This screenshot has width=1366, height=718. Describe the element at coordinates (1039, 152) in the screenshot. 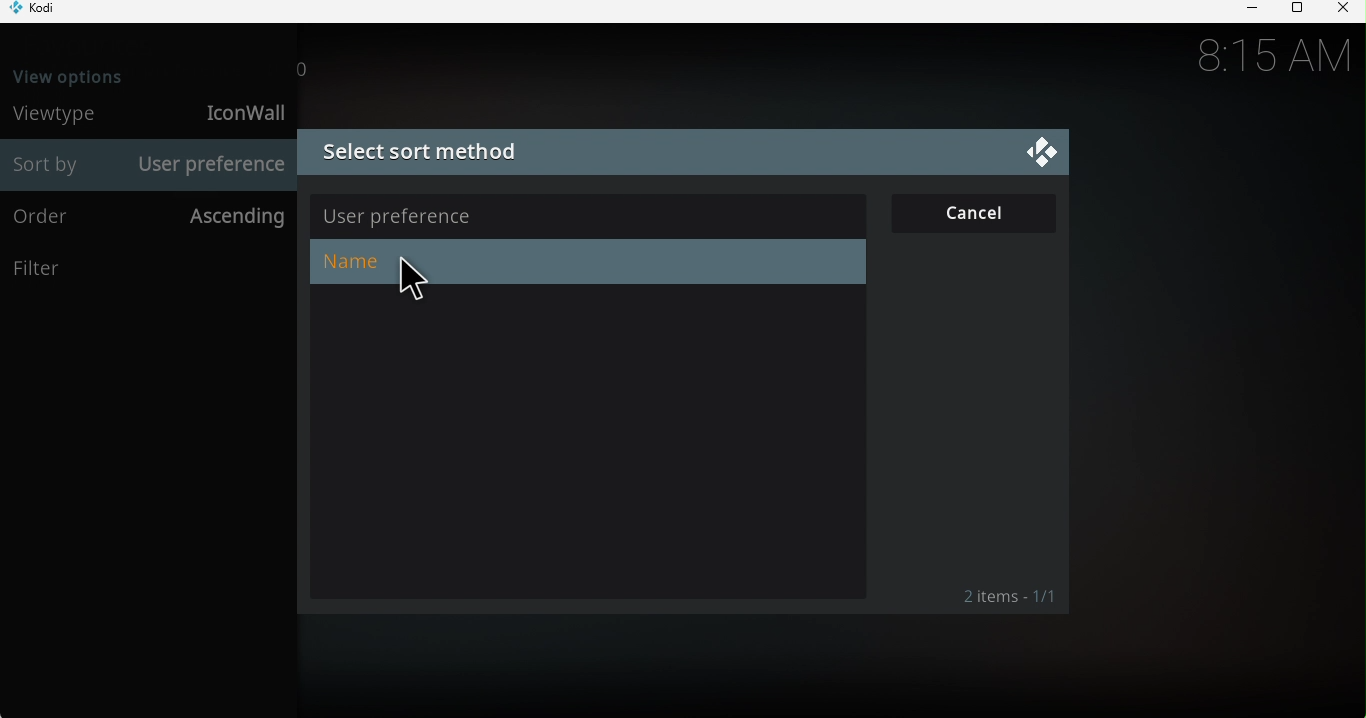

I see `Close` at that location.